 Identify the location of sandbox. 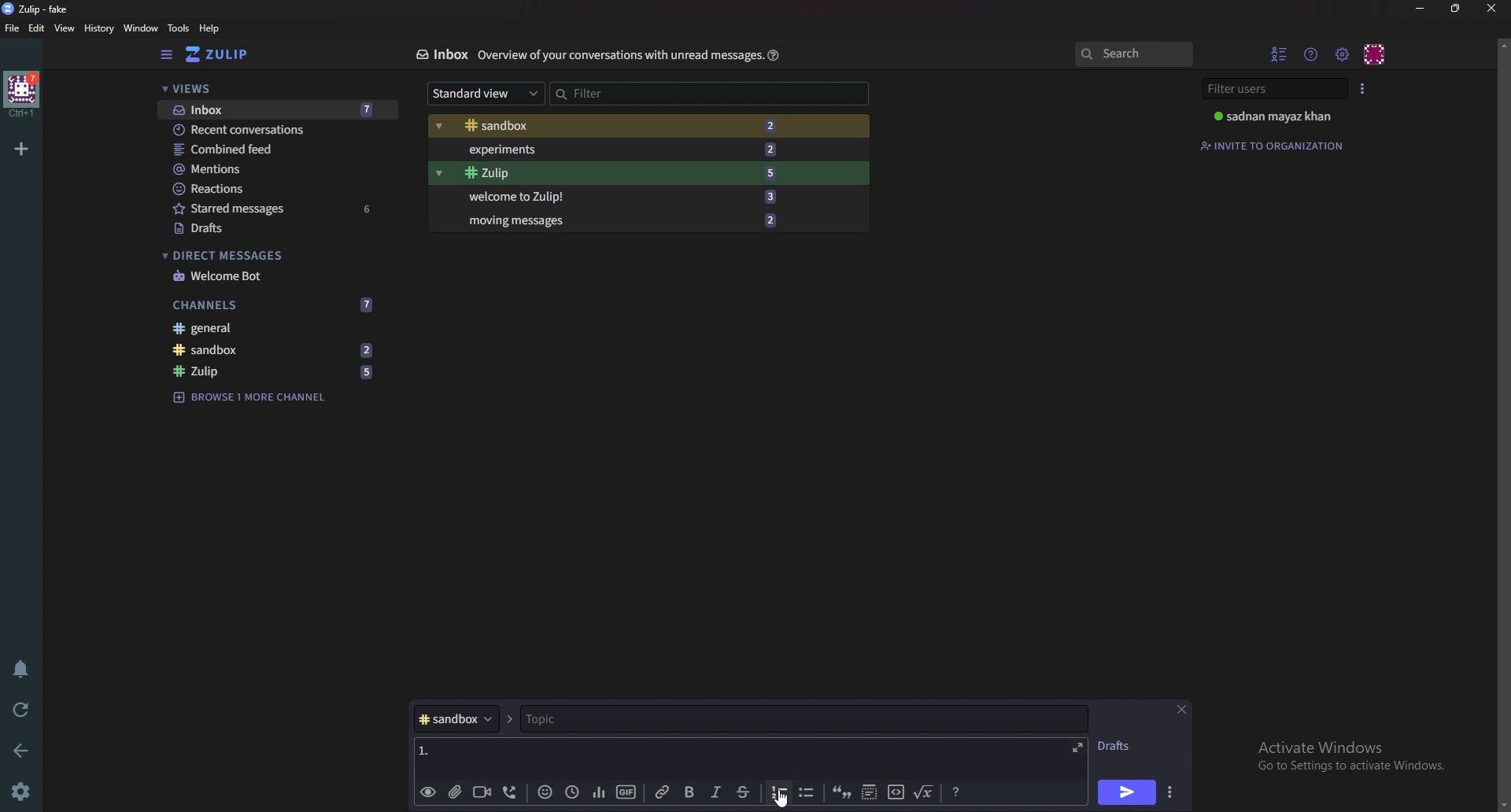
(278, 350).